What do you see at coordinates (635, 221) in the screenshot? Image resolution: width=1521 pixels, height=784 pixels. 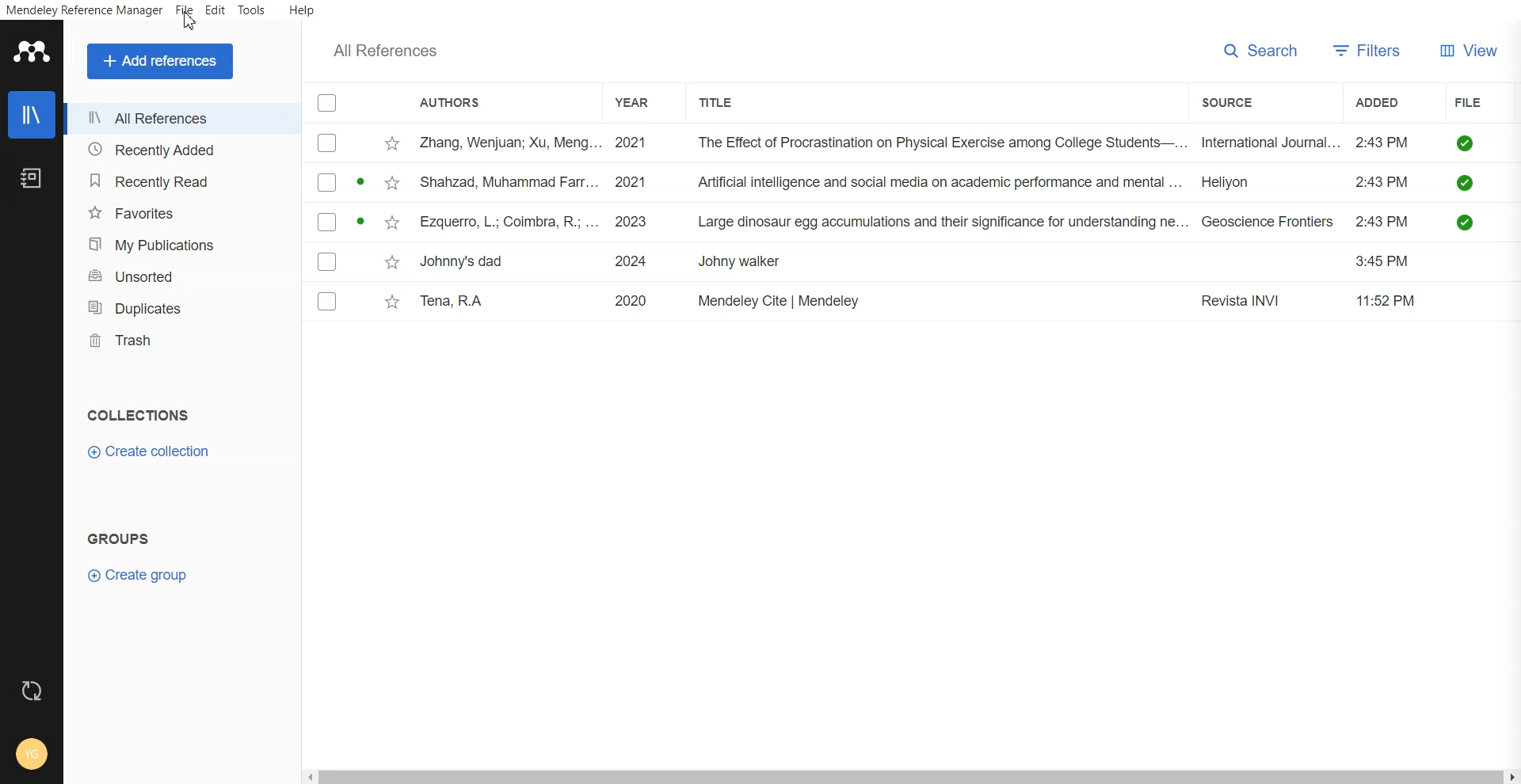 I see `2023` at bounding box center [635, 221].